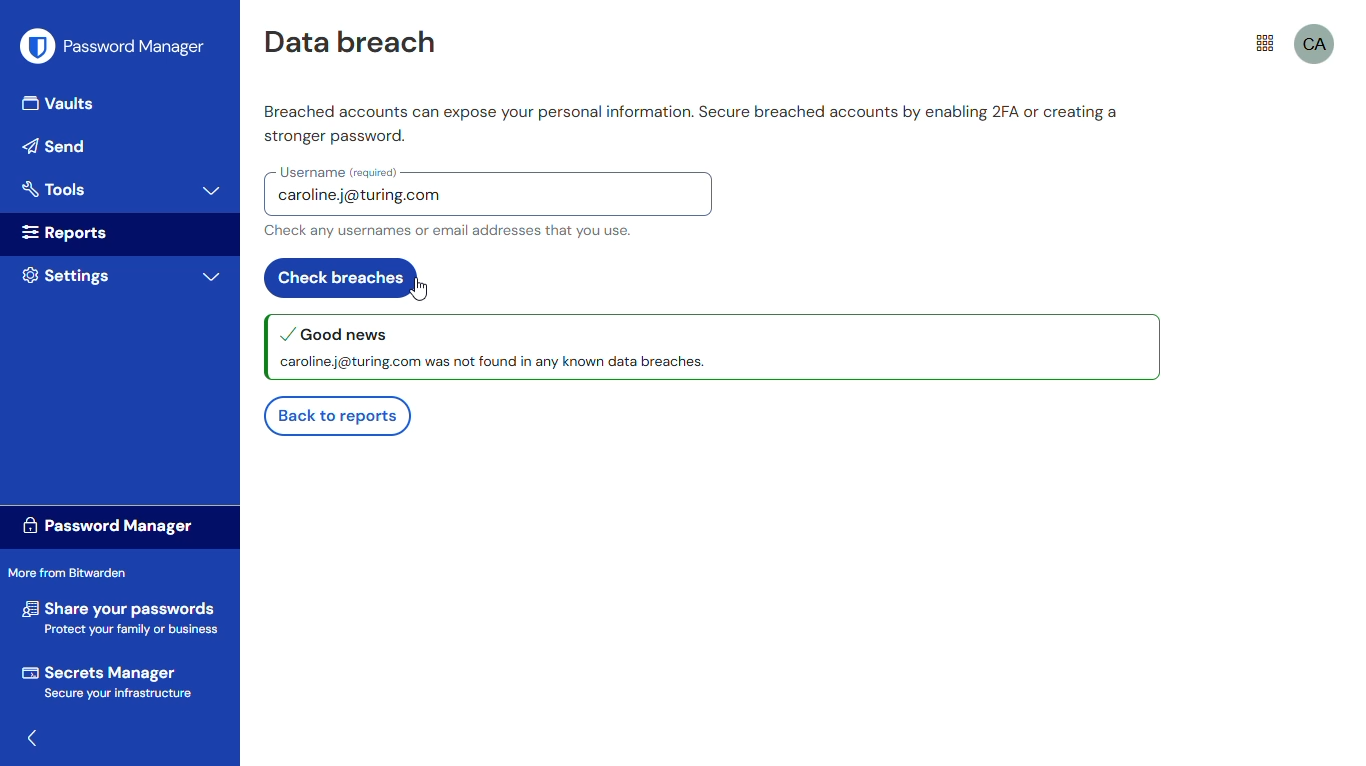 The image size is (1366, 766). Describe the element at coordinates (213, 190) in the screenshot. I see `toggle expand` at that location.